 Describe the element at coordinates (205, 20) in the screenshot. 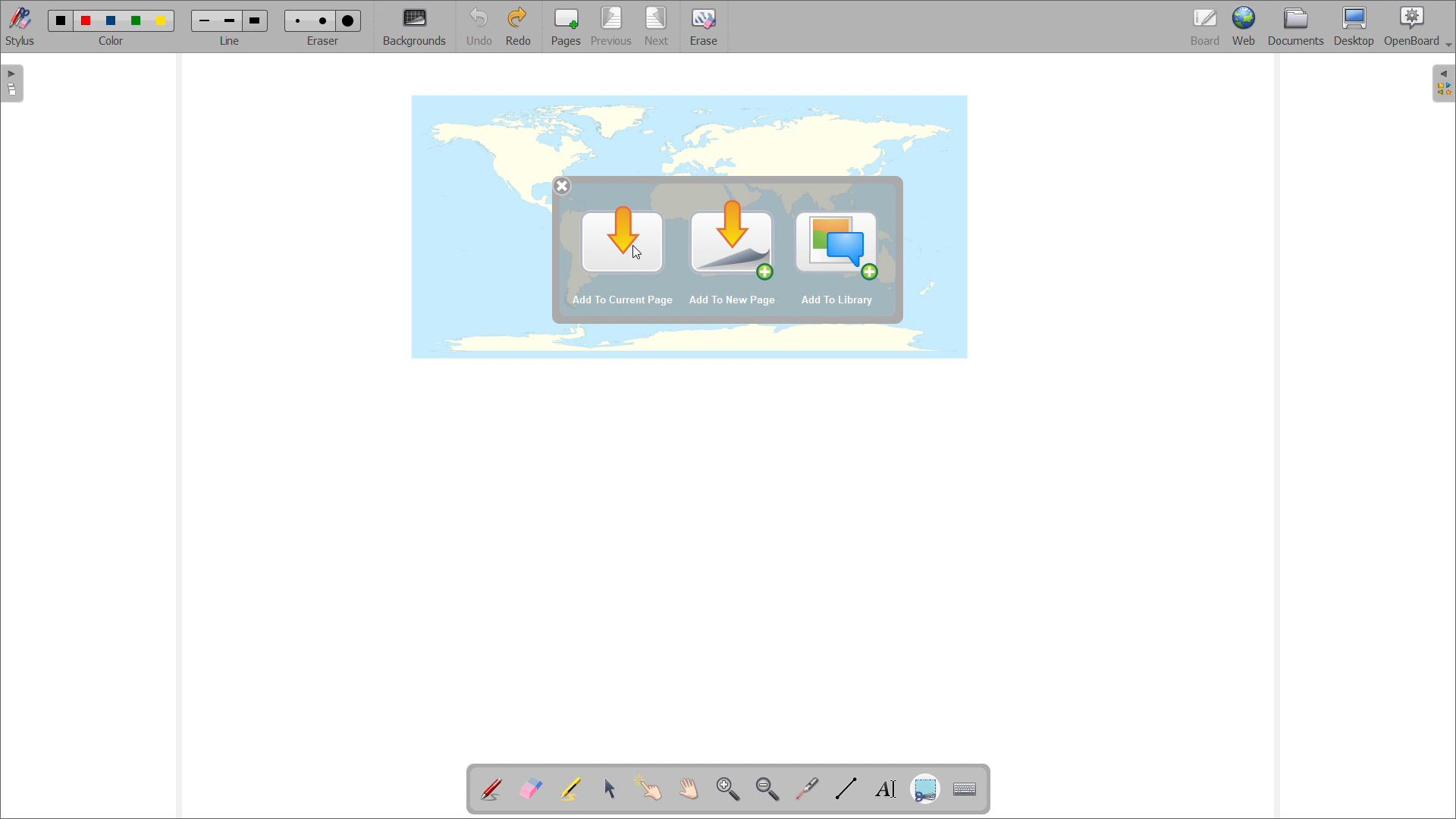

I see `small` at that location.